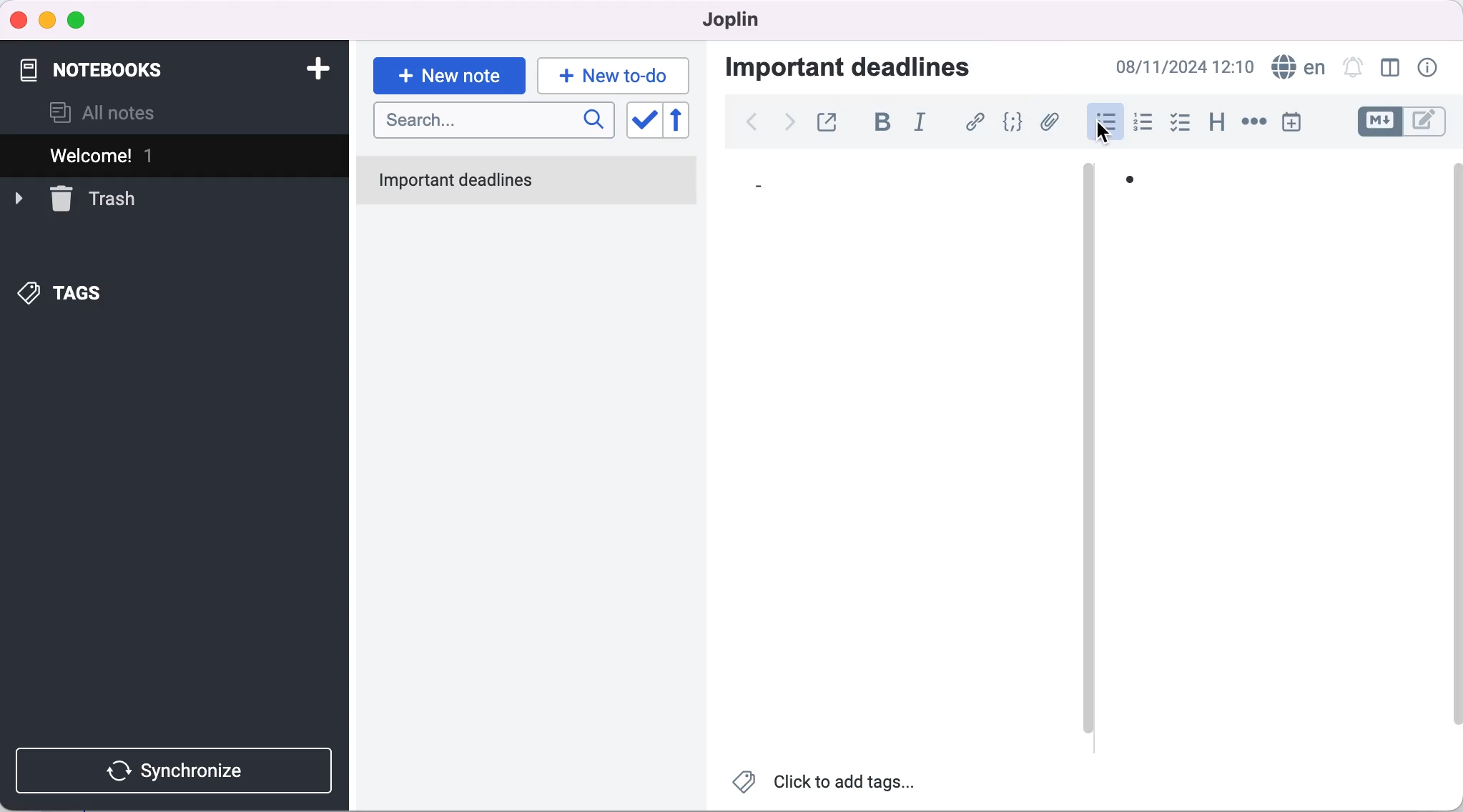  Describe the element at coordinates (112, 66) in the screenshot. I see `notebooks` at that location.